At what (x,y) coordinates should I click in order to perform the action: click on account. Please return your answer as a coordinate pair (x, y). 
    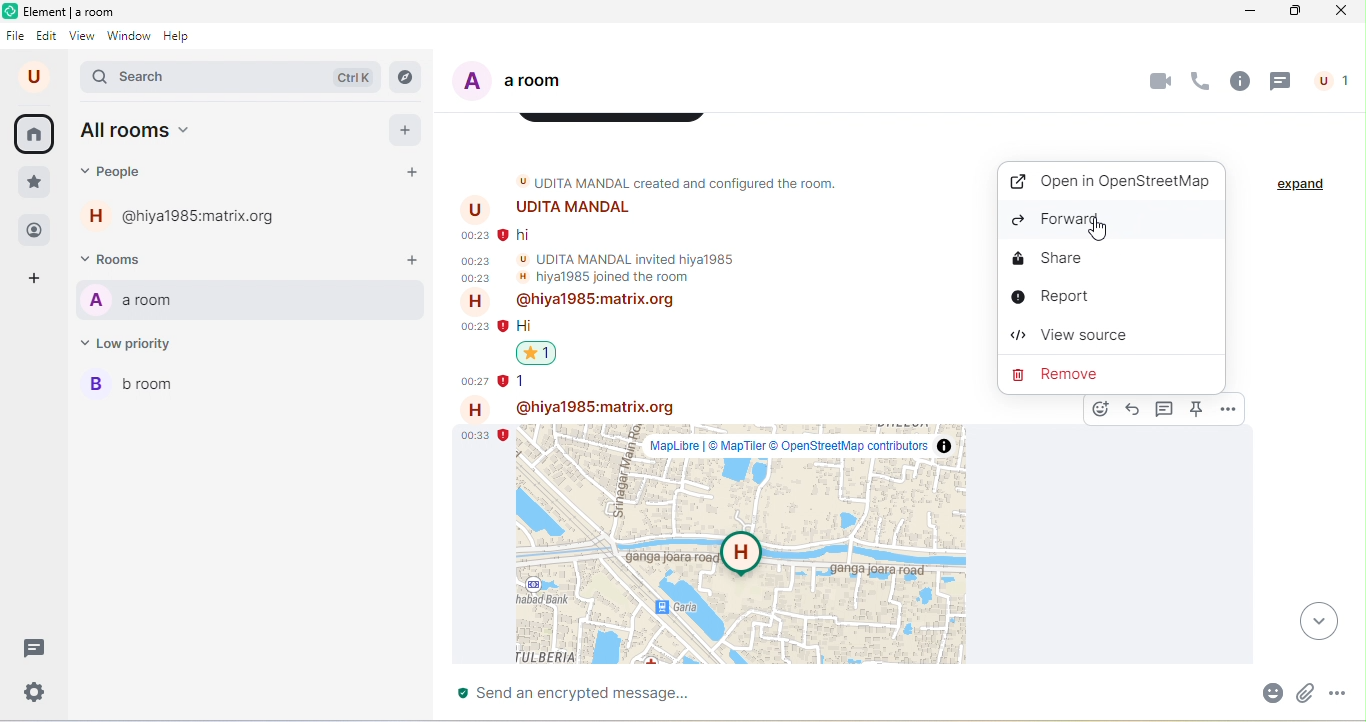
    Looking at the image, I should click on (38, 76).